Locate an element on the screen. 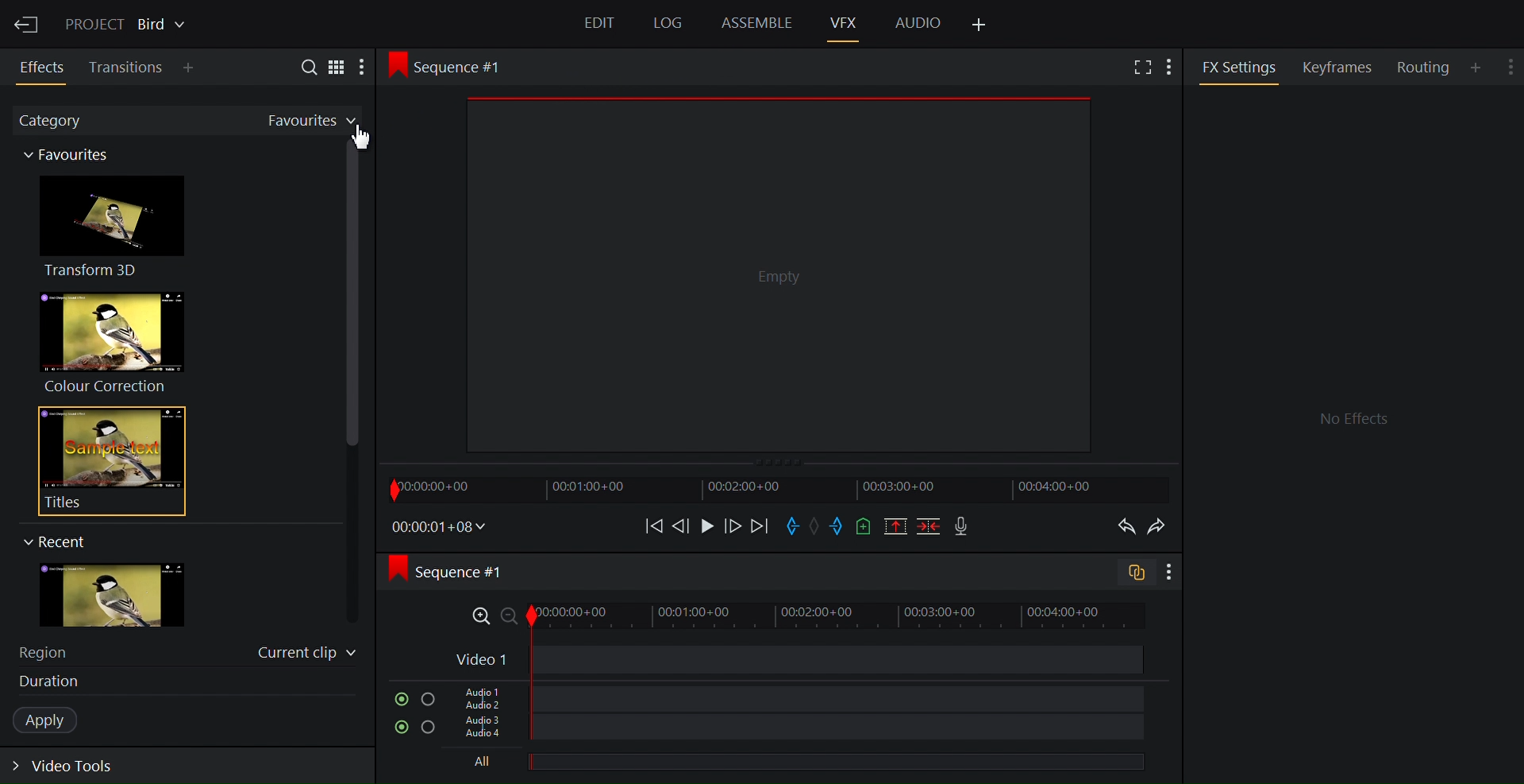 The height and width of the screenshot is (784, 1524). FX settings Panel is located at coordinates (1352, 430).